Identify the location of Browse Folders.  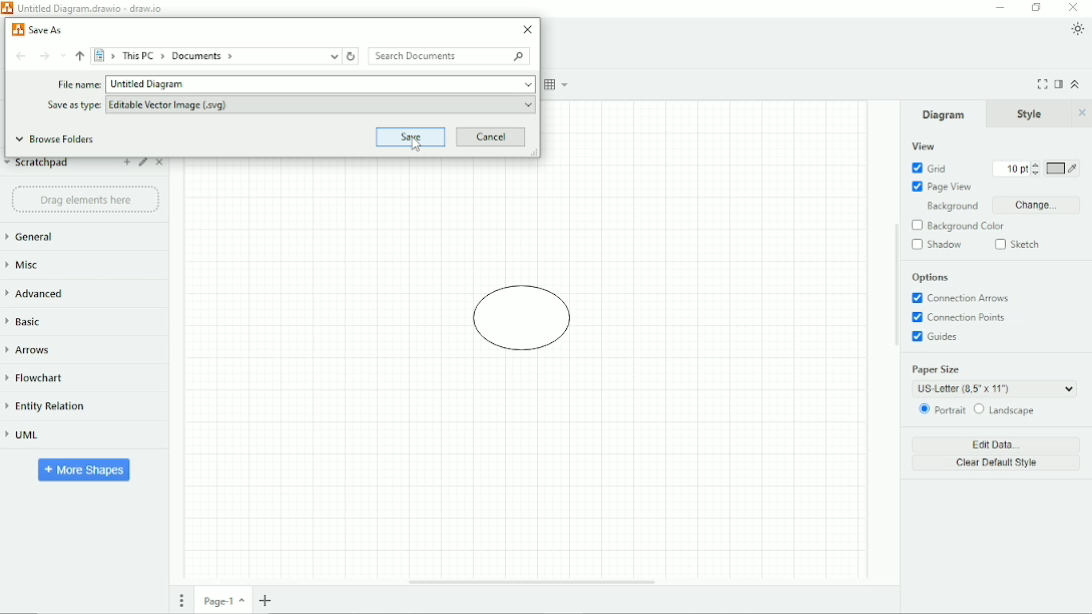
(53, 138).